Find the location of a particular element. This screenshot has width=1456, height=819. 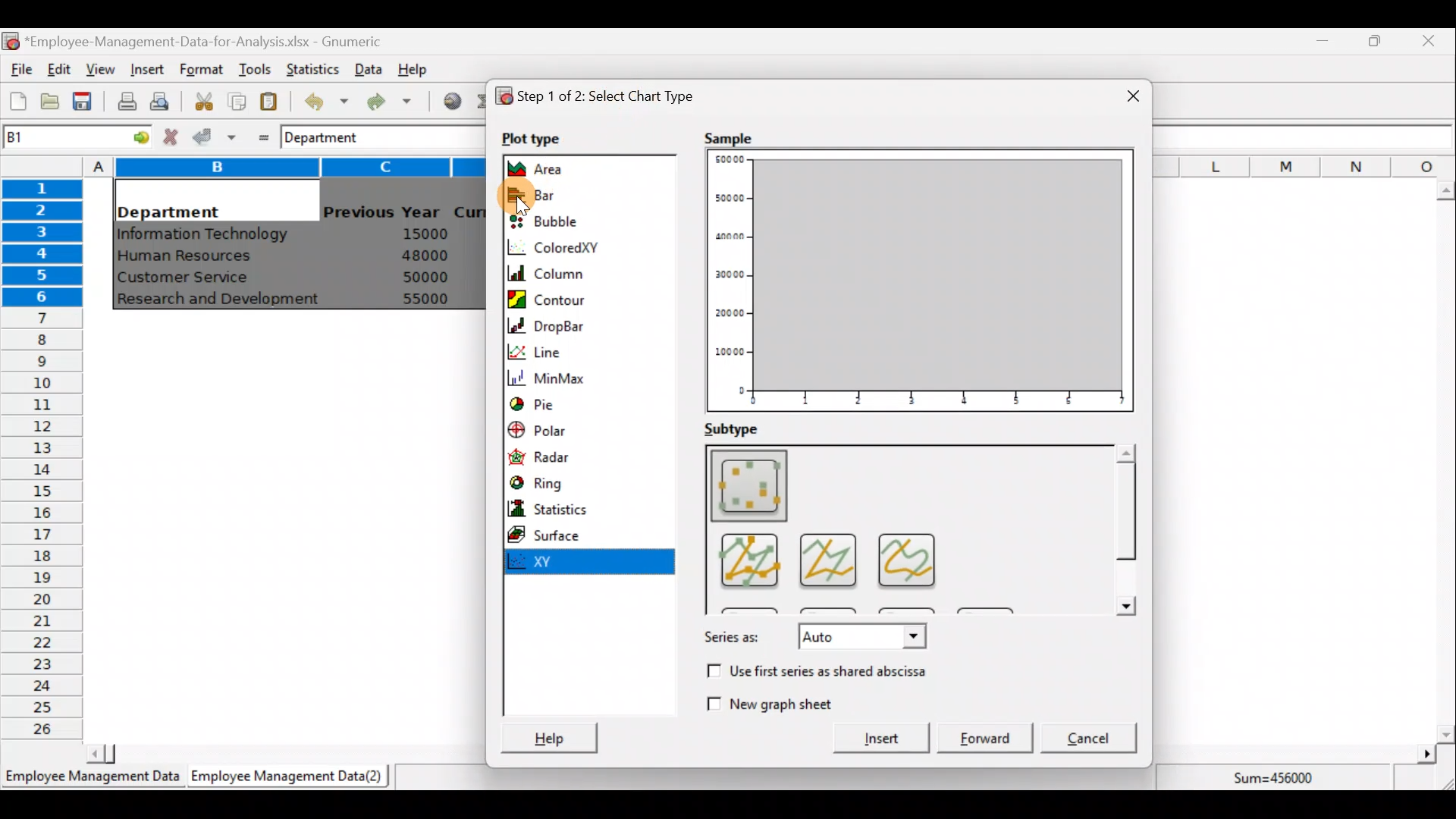

Close is located at coordinates (1125, 99).